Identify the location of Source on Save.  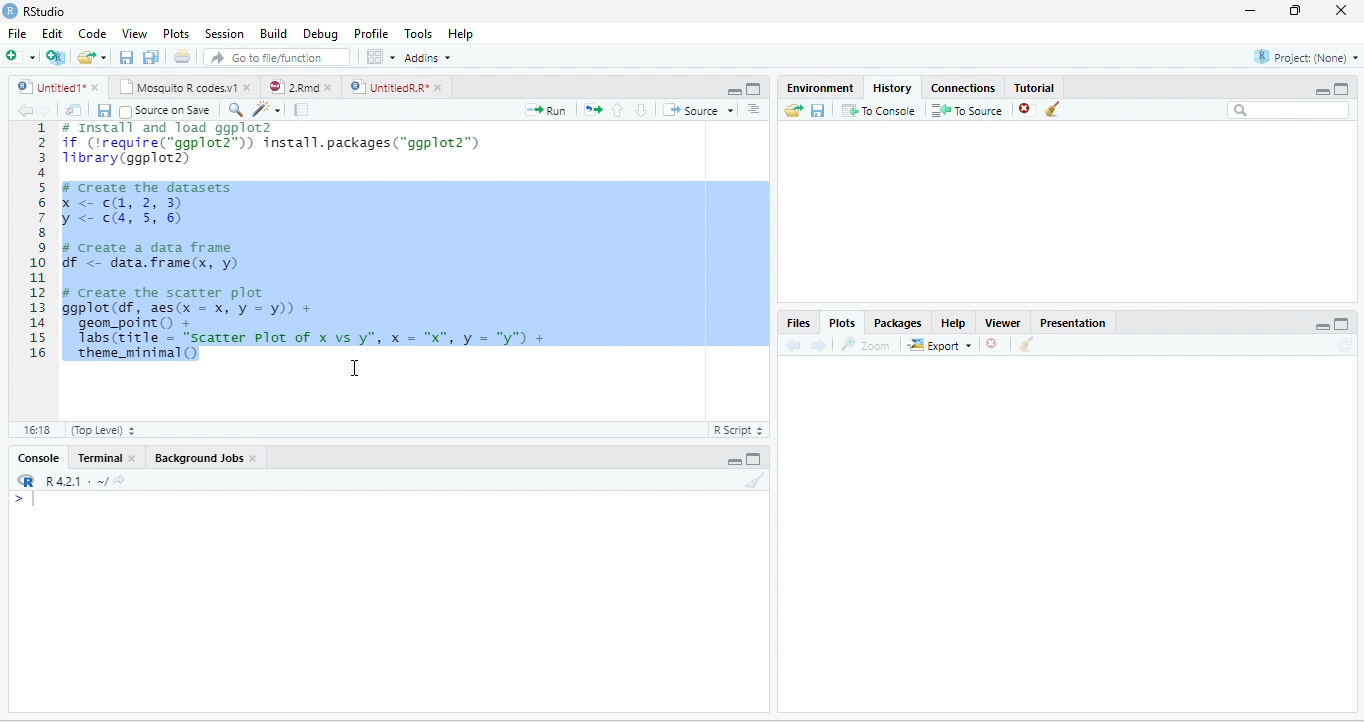
(166, 112).